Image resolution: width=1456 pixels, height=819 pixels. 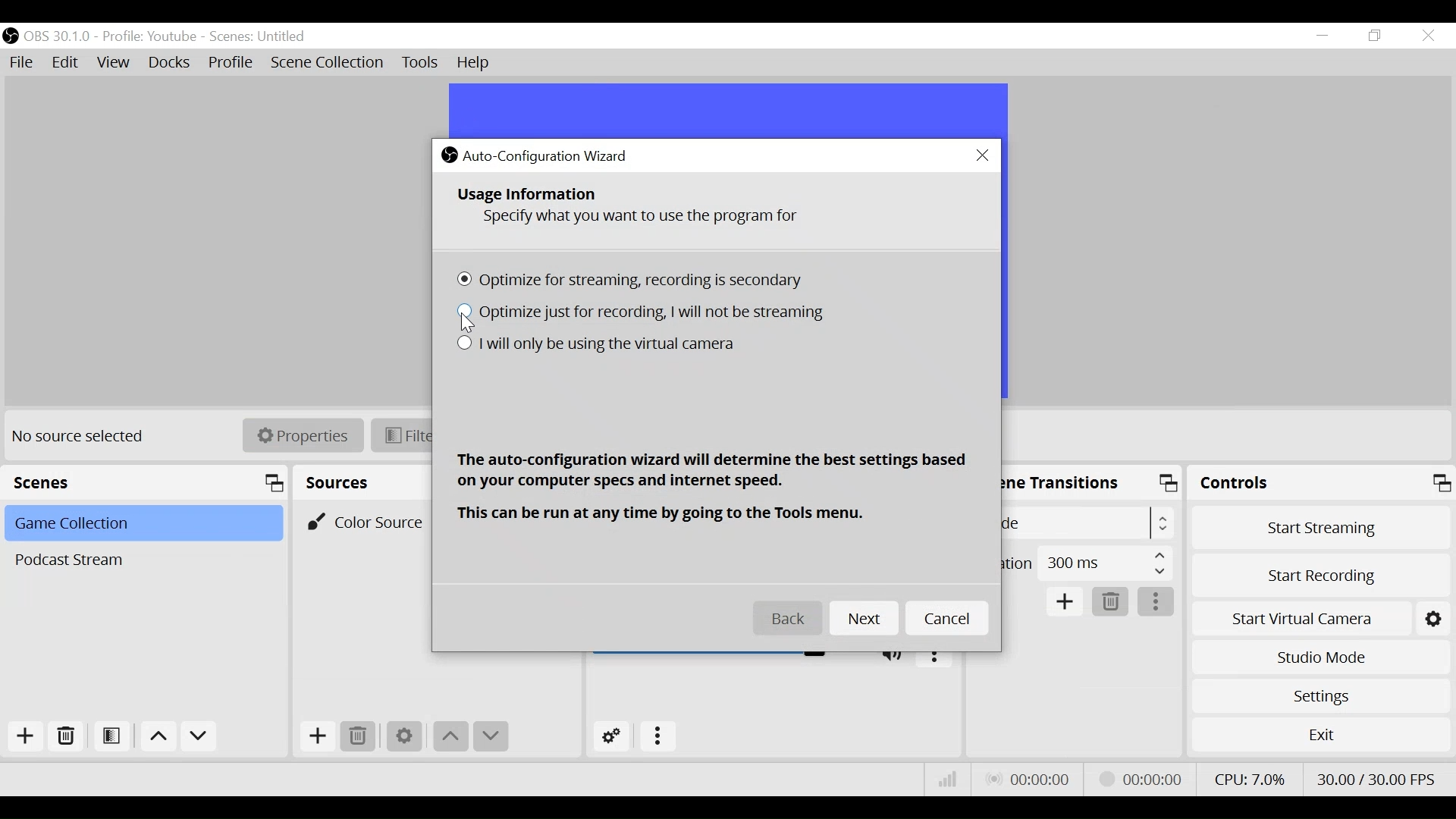 What do you see at coordinates (1373, 36) in the screenshot?
I see `Restore` at bounding box center [1373, 36].